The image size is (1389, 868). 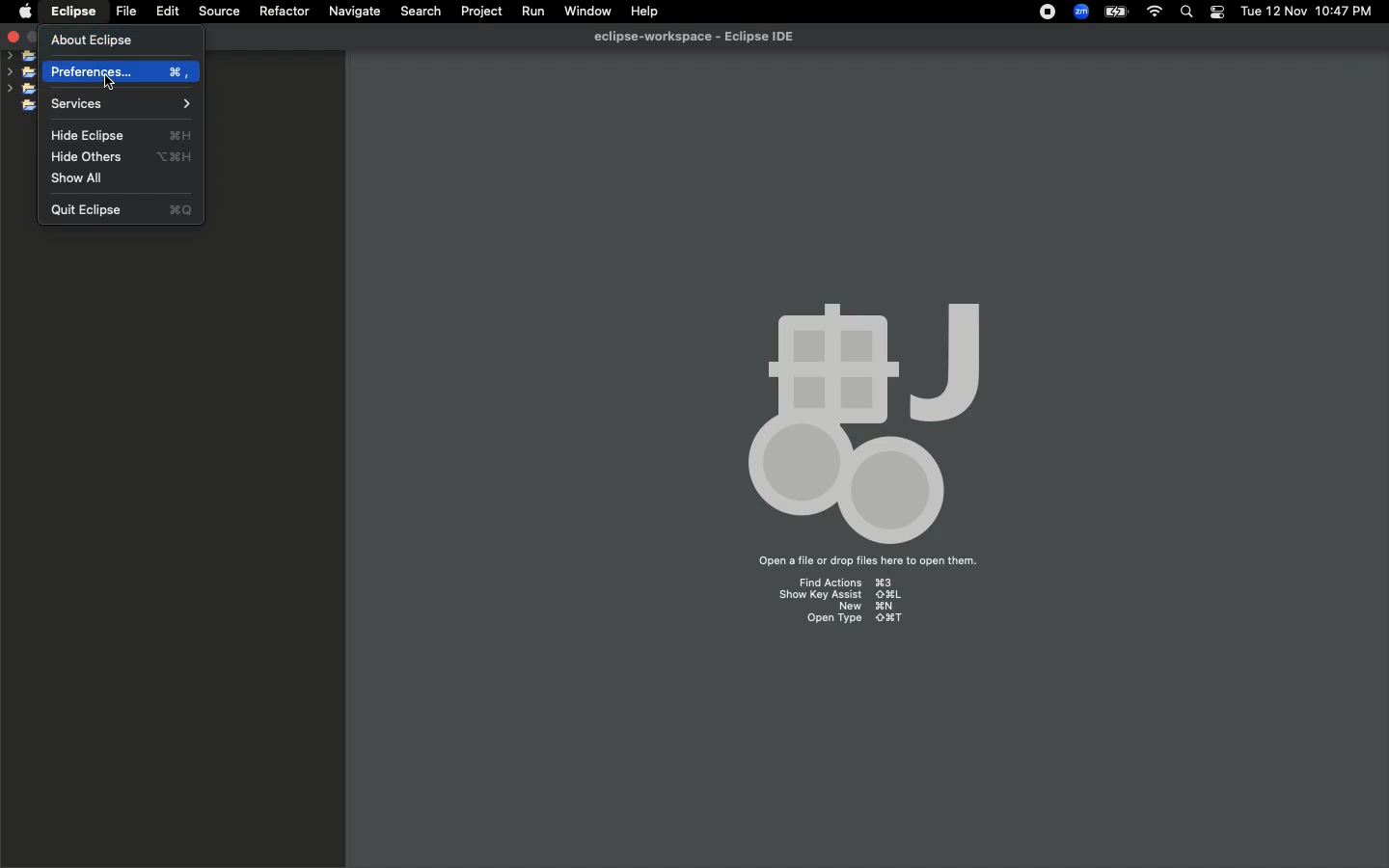 What do you see at coordinates (123, 210) in the screenshot?
I see `Quit eclipse` at bounding box center [123, 210].